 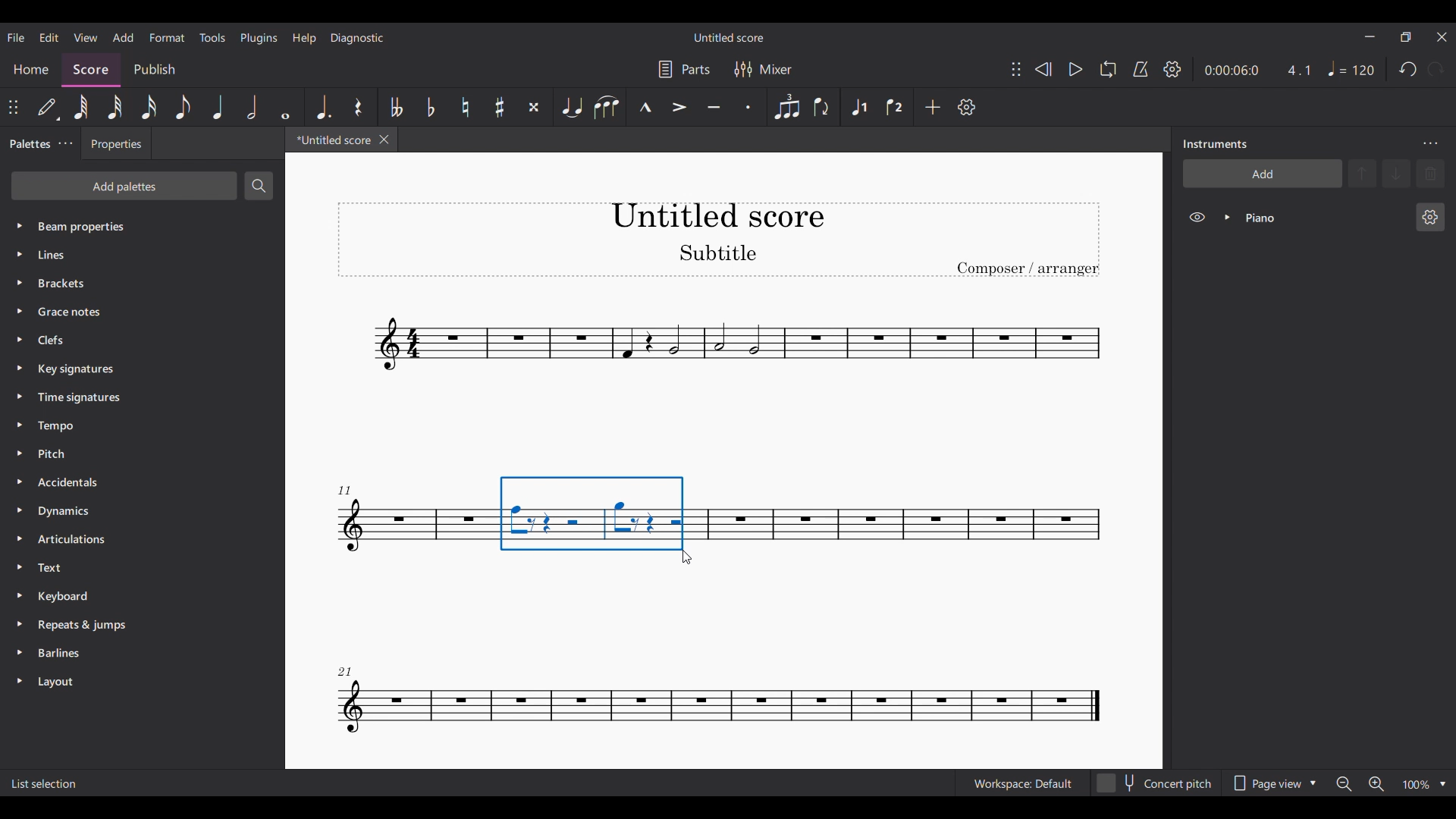 I want to click on Properties panel, so click(x=116, y=147).